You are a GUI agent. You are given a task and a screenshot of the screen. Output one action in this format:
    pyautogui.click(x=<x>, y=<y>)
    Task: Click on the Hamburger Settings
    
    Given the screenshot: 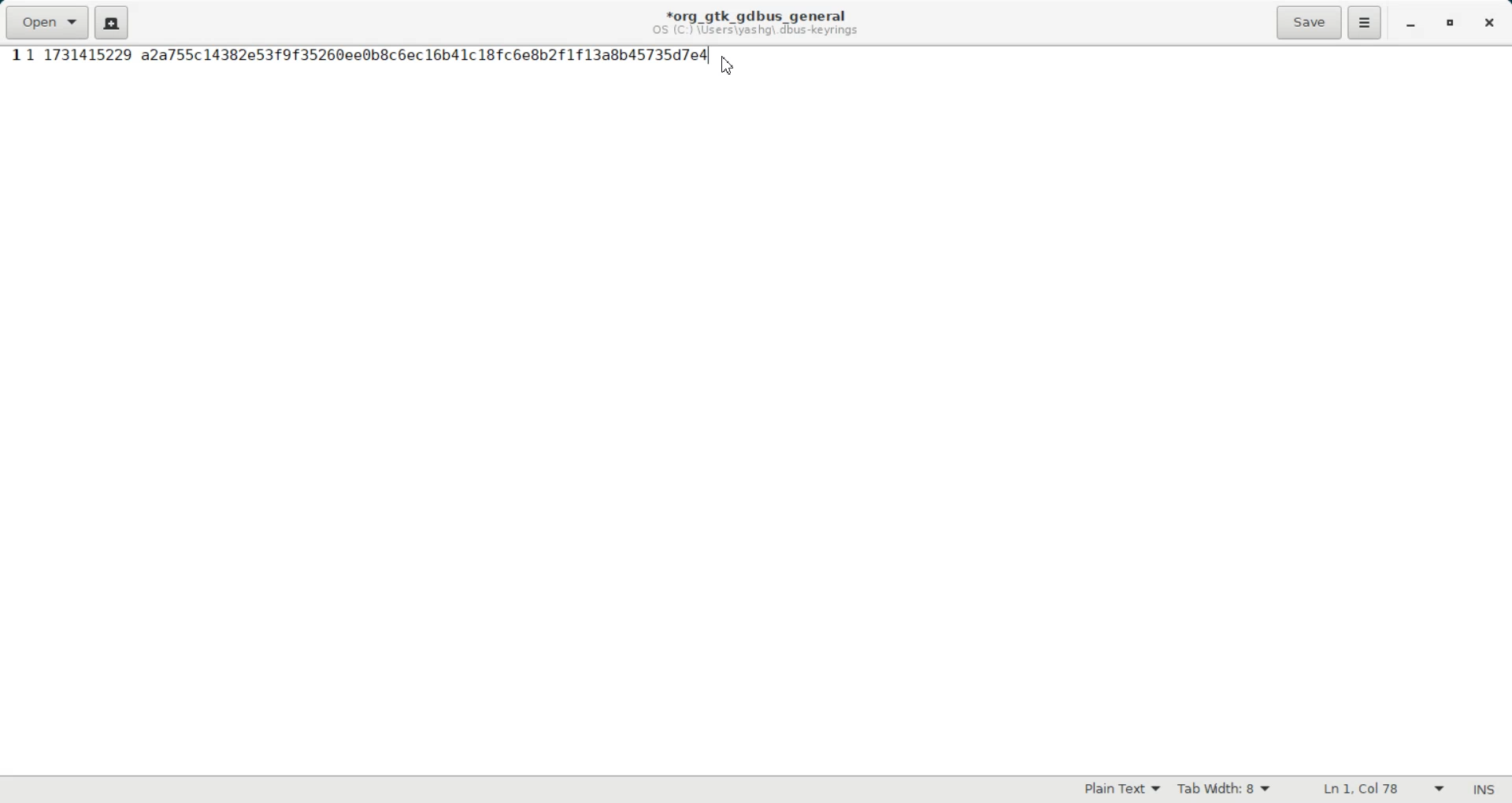 What is the action you would take?
    pyautogui.click(x=1365, y=22)
    